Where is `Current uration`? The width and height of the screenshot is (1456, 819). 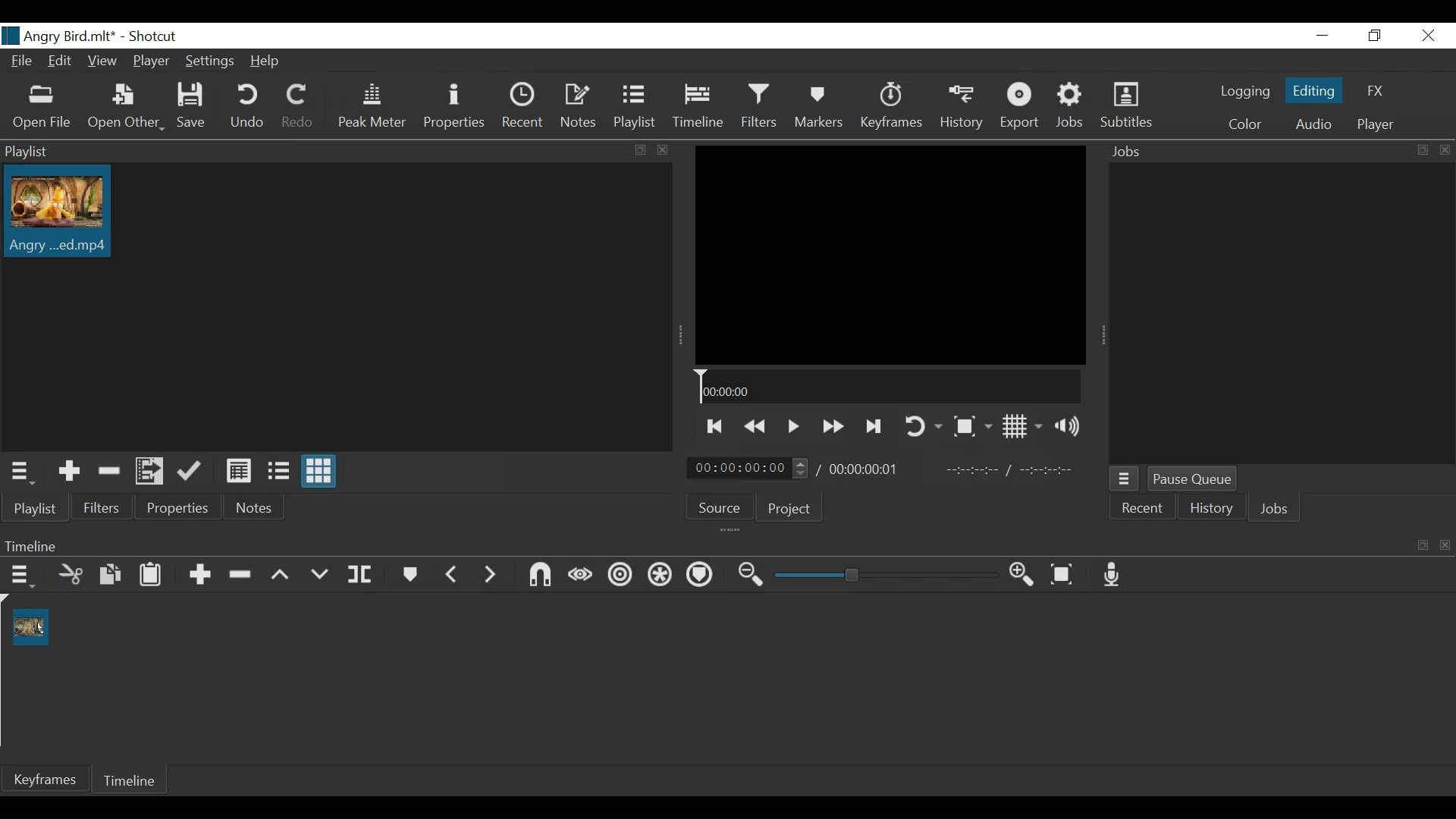 Current uration is located at coordinates (748, 467).